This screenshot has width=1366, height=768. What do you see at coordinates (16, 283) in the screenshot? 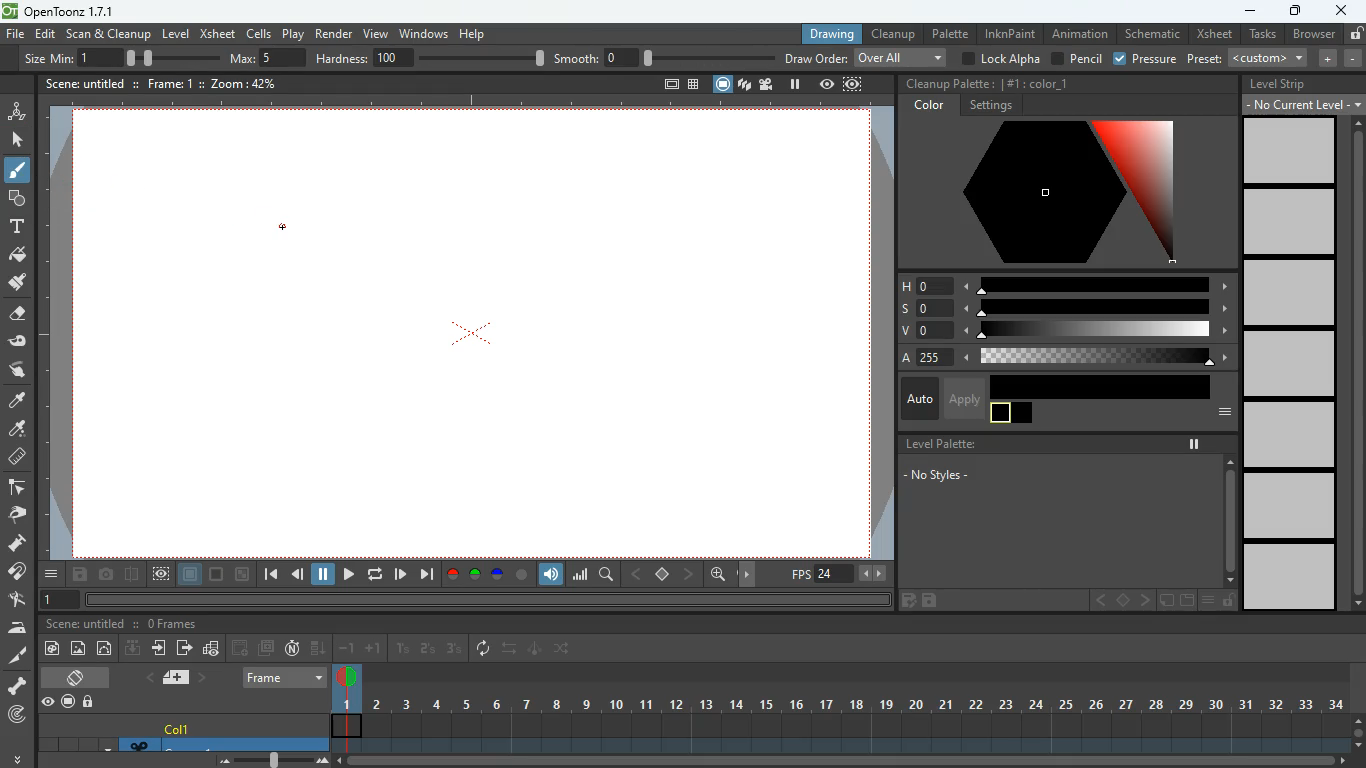
I see `paint` at bounding box center [16, 283].